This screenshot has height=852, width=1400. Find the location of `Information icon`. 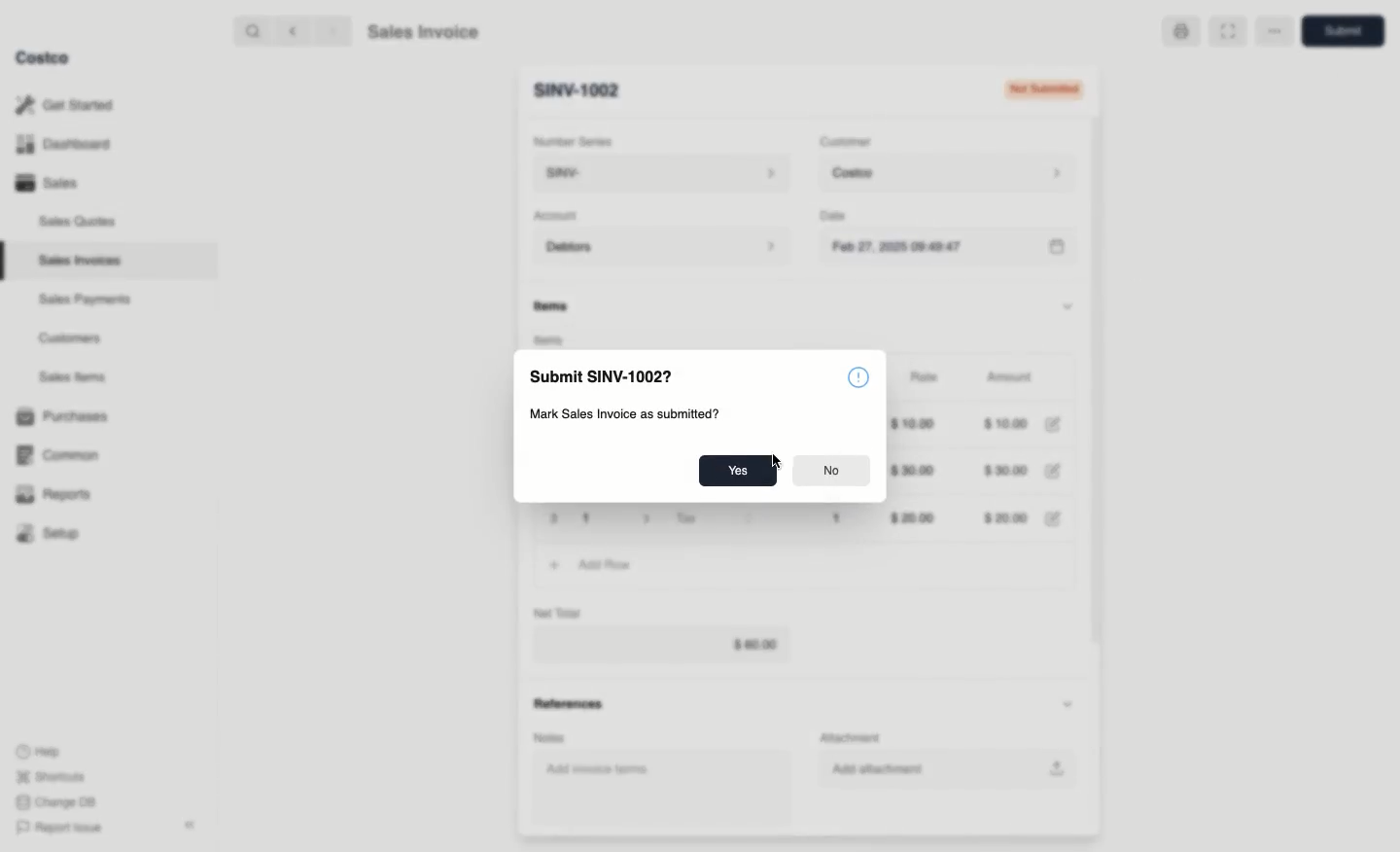

Information icon is located at coordinates (857, 377).